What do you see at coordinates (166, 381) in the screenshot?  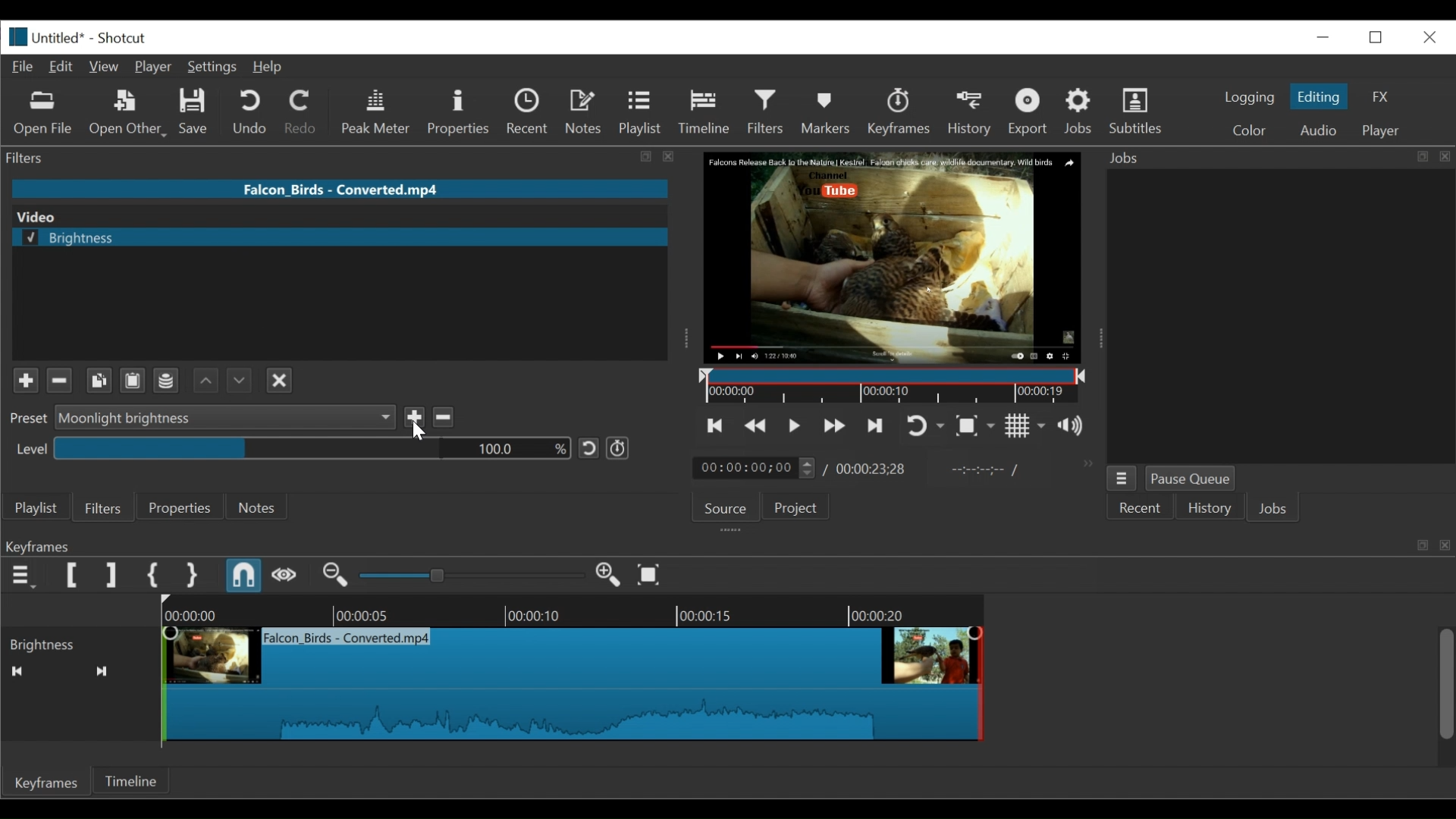 I see `Channel` at bounding box center [166, 381].